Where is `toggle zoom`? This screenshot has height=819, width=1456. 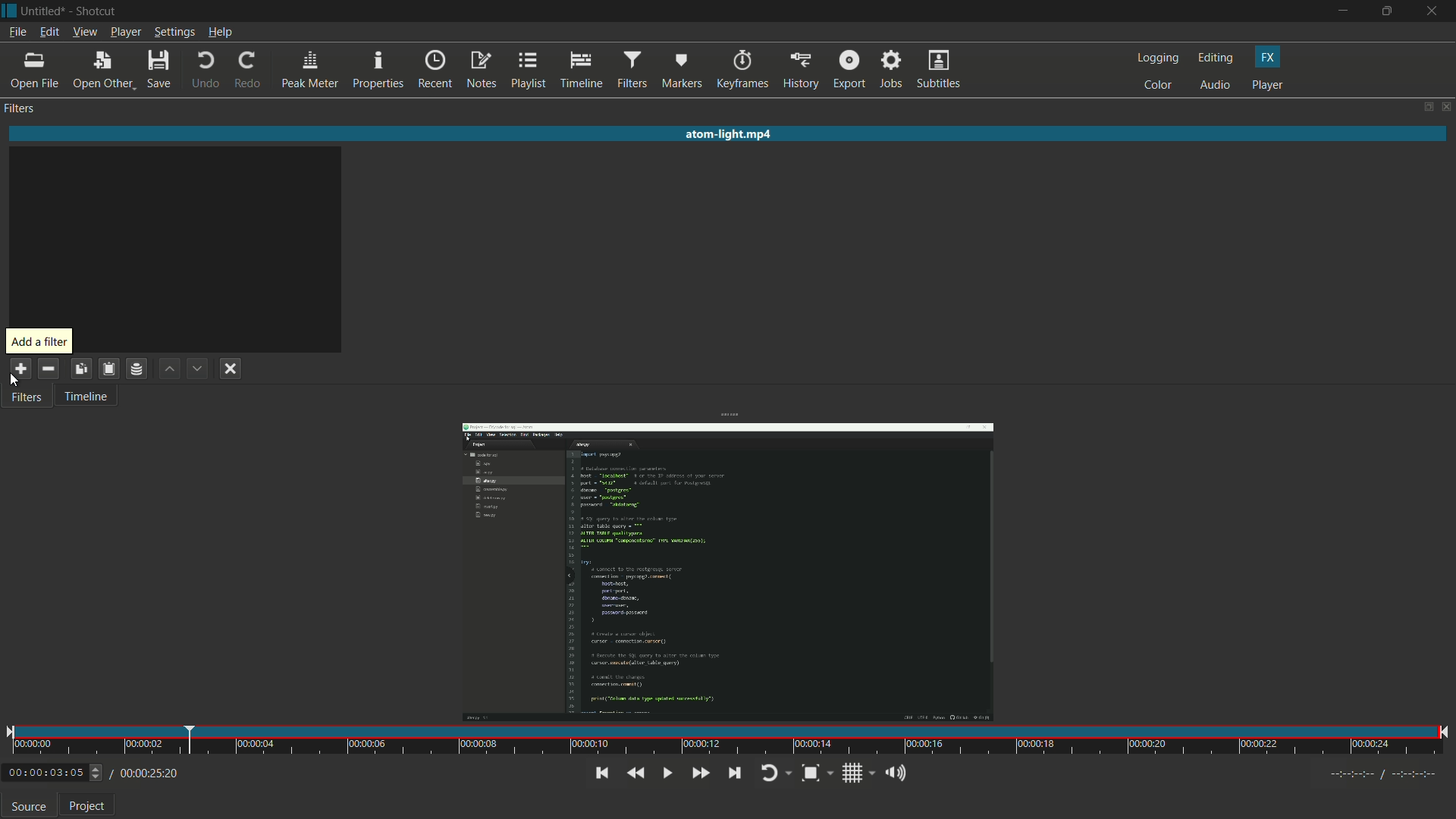
toggle zoom is located at coordinates (814, 773).